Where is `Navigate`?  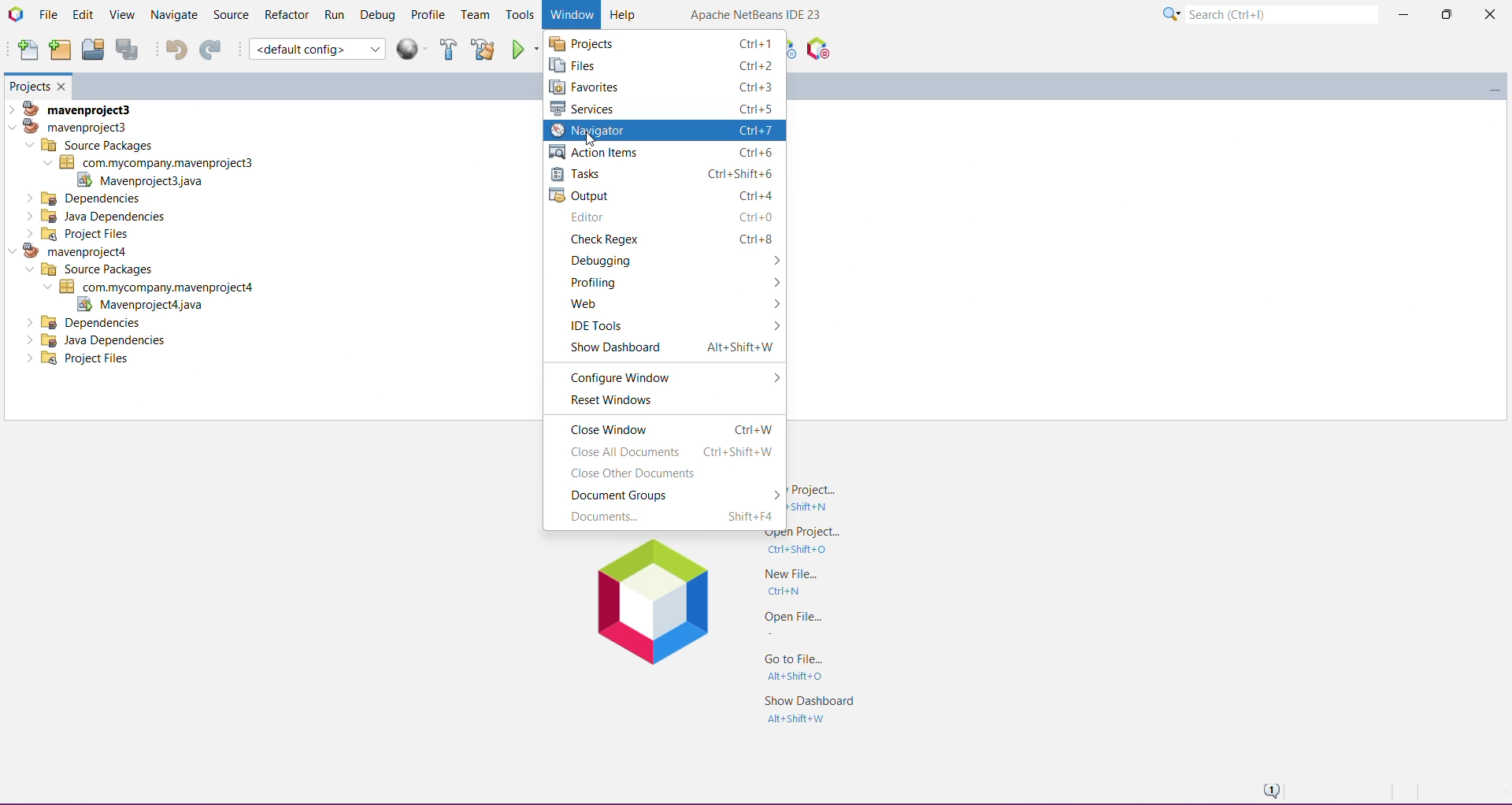 Navigate is located at coordinates (172, 15).